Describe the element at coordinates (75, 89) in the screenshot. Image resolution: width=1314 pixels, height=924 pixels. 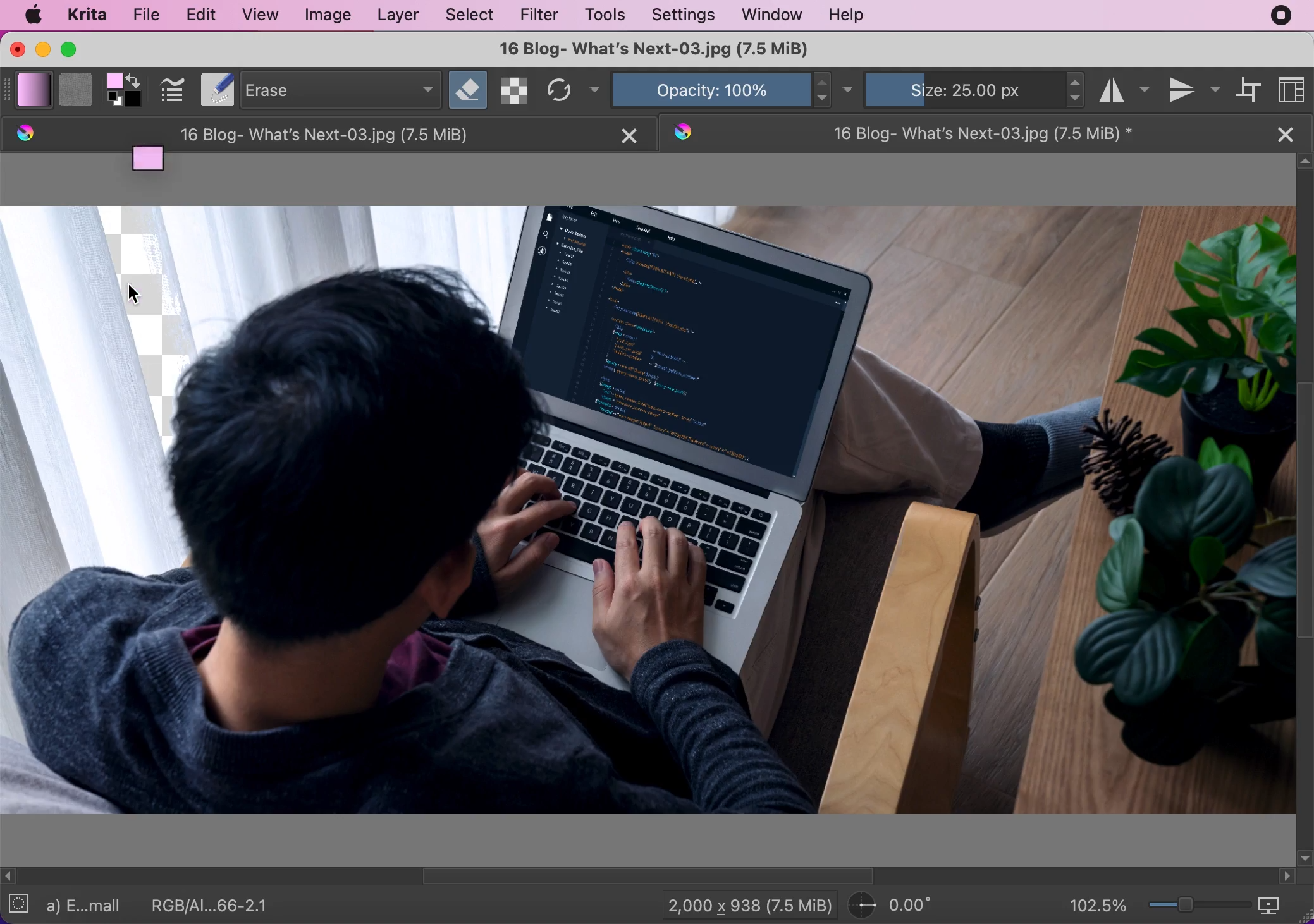
I see `fill patterns` at that location.